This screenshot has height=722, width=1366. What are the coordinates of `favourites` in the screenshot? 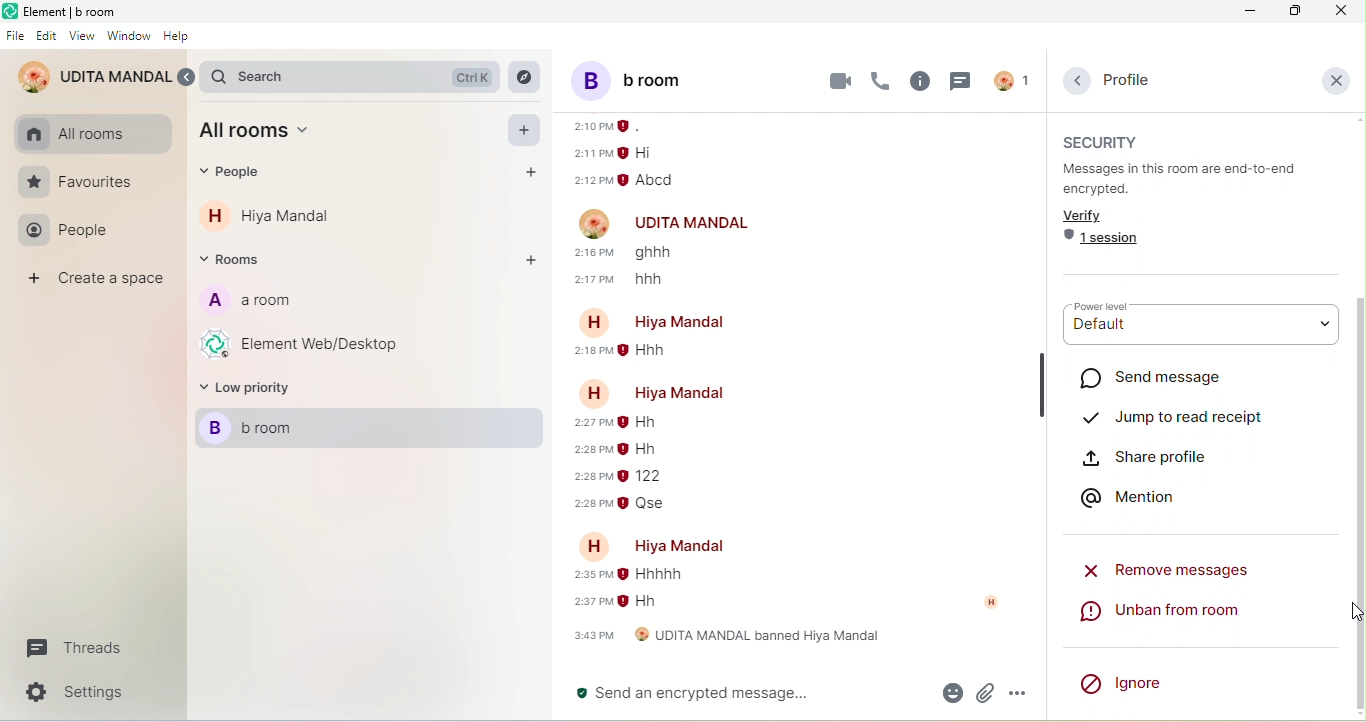 It's located at (78, 183).